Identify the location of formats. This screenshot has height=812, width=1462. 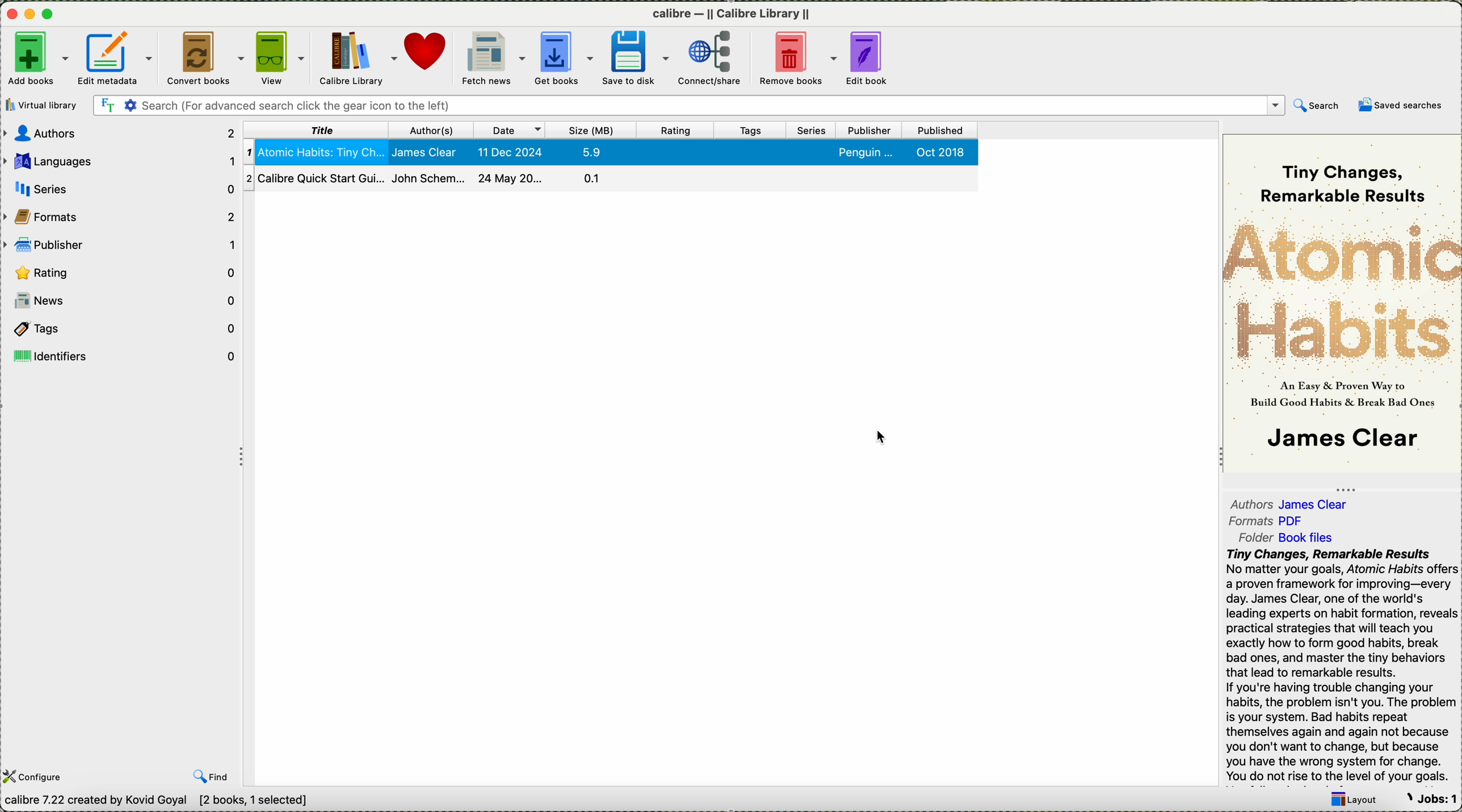
(121, 213).